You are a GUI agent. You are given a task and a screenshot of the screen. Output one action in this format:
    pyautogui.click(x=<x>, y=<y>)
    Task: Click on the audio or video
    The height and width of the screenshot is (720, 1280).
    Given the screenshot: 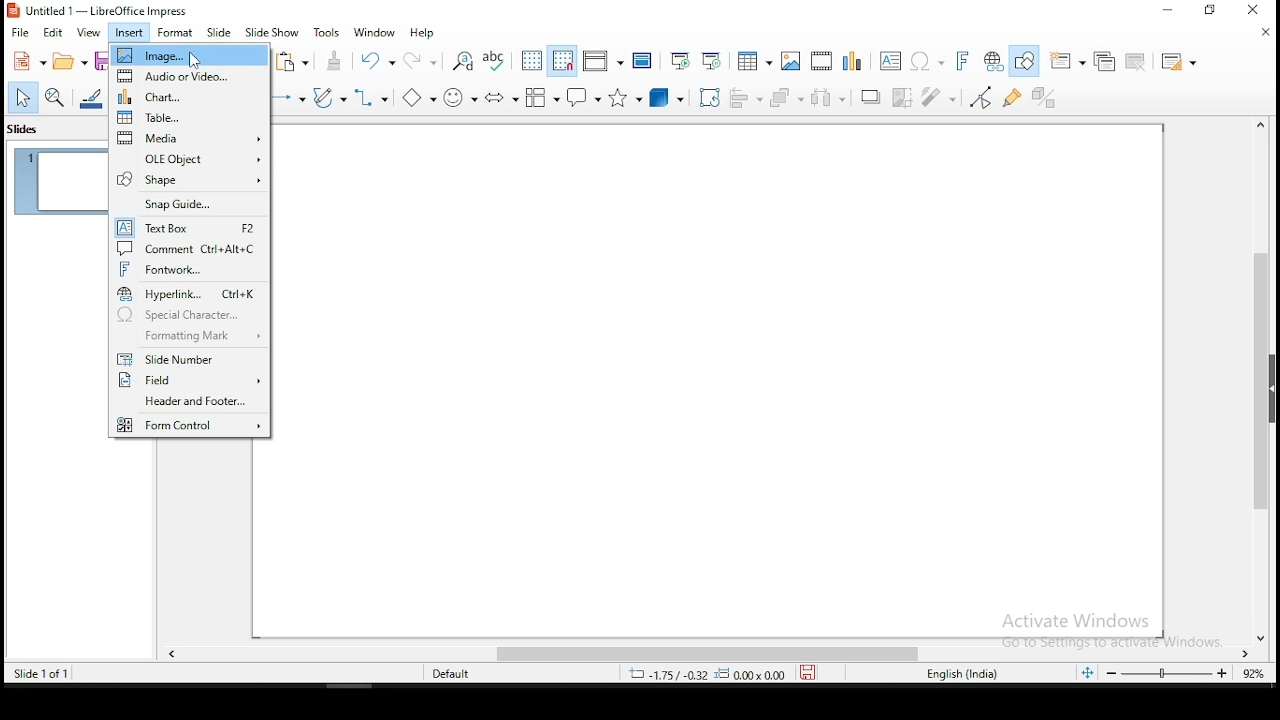 What is the action you would take?
    pyautogui.click(x=191, y=77)
    